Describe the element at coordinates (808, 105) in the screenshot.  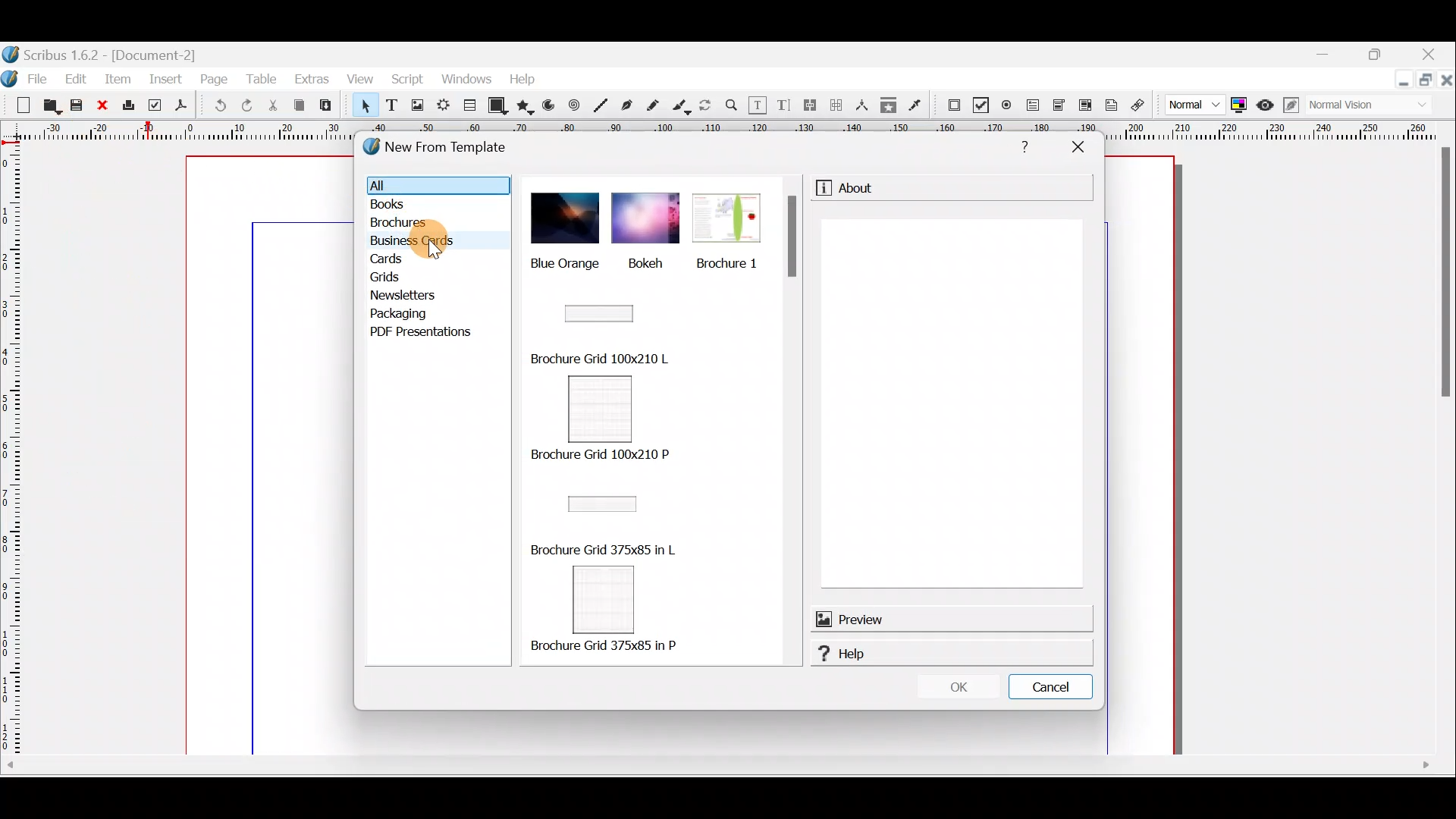
I see `Link text frames` at that location.